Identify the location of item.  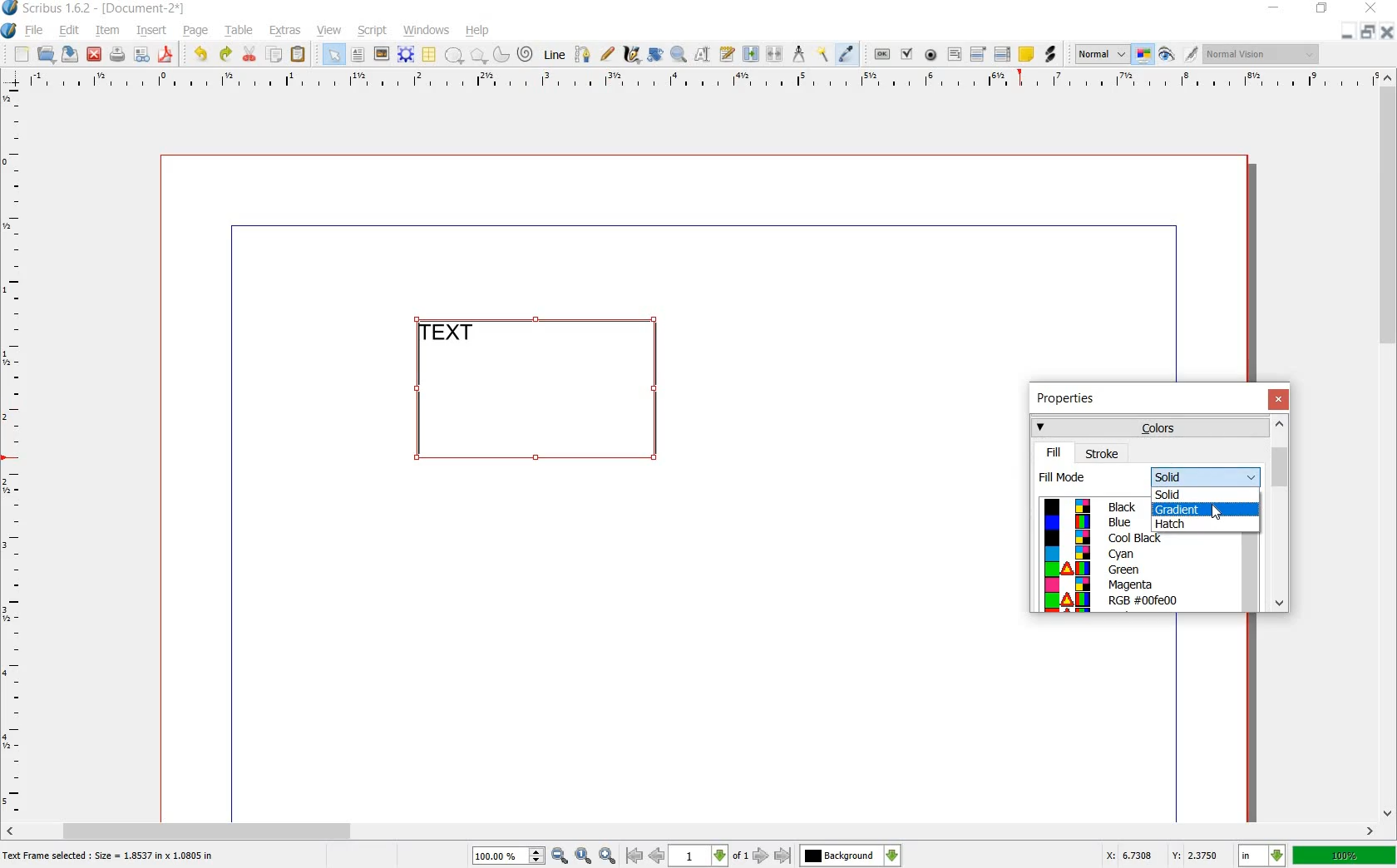
(106, 32).